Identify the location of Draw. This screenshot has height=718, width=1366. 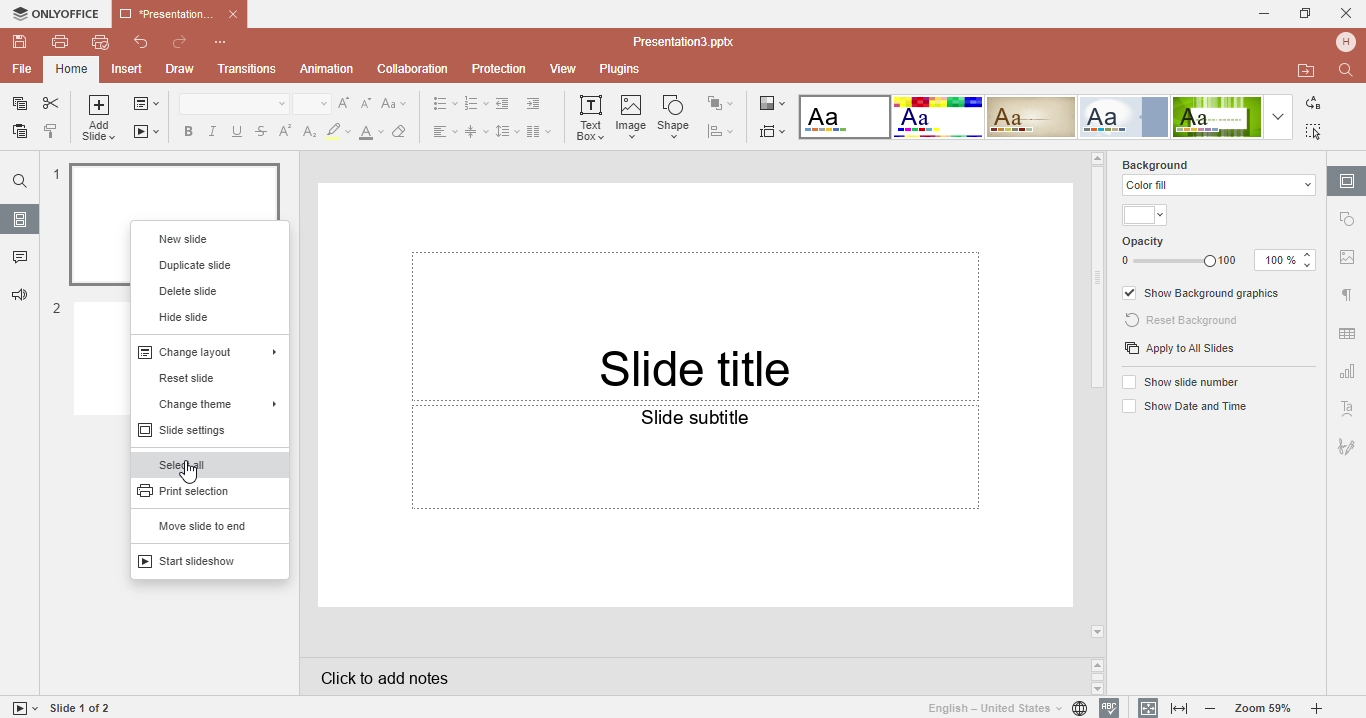
(178, 70).